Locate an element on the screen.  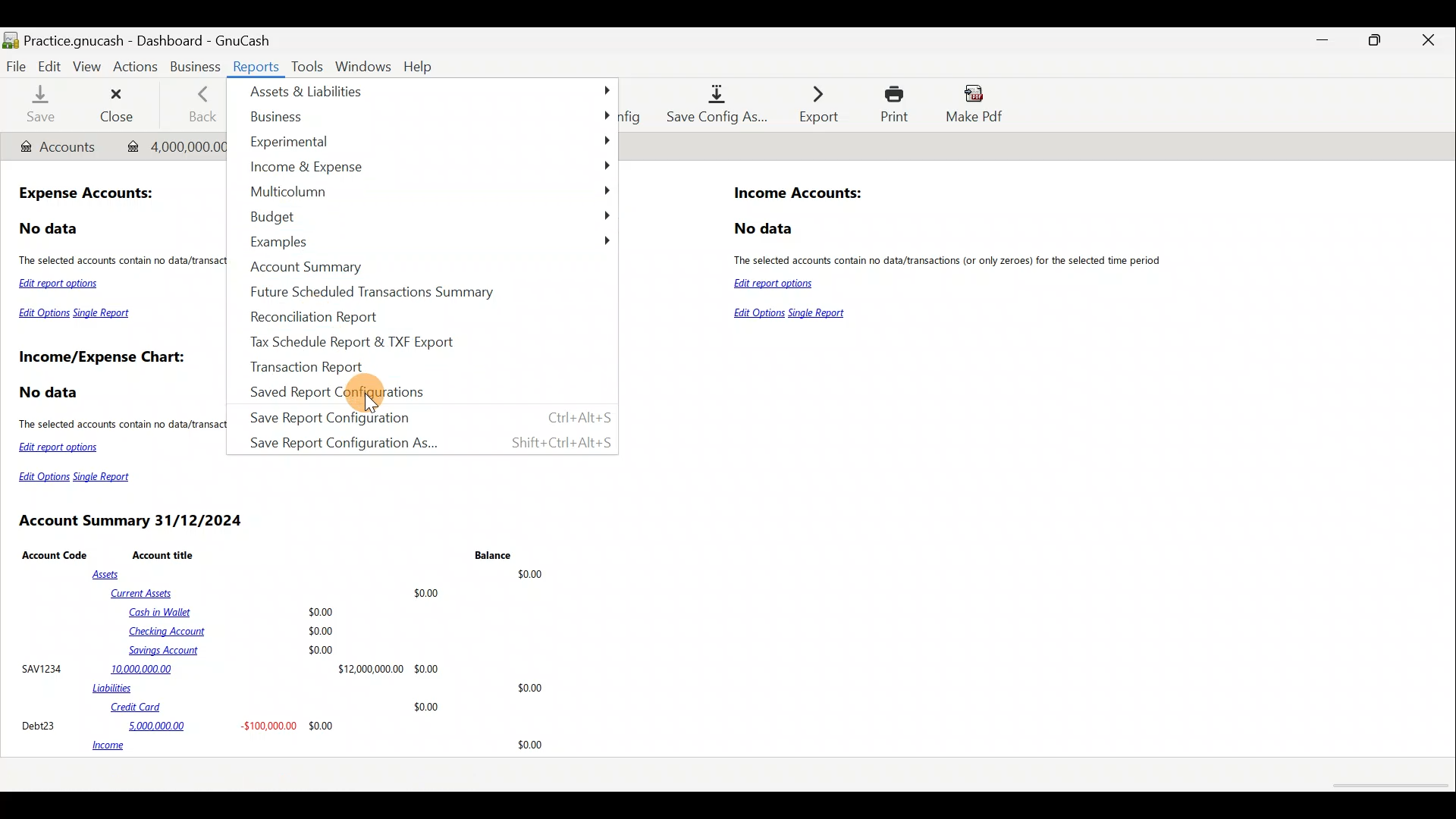
Business is located at coordinates (432, 117).